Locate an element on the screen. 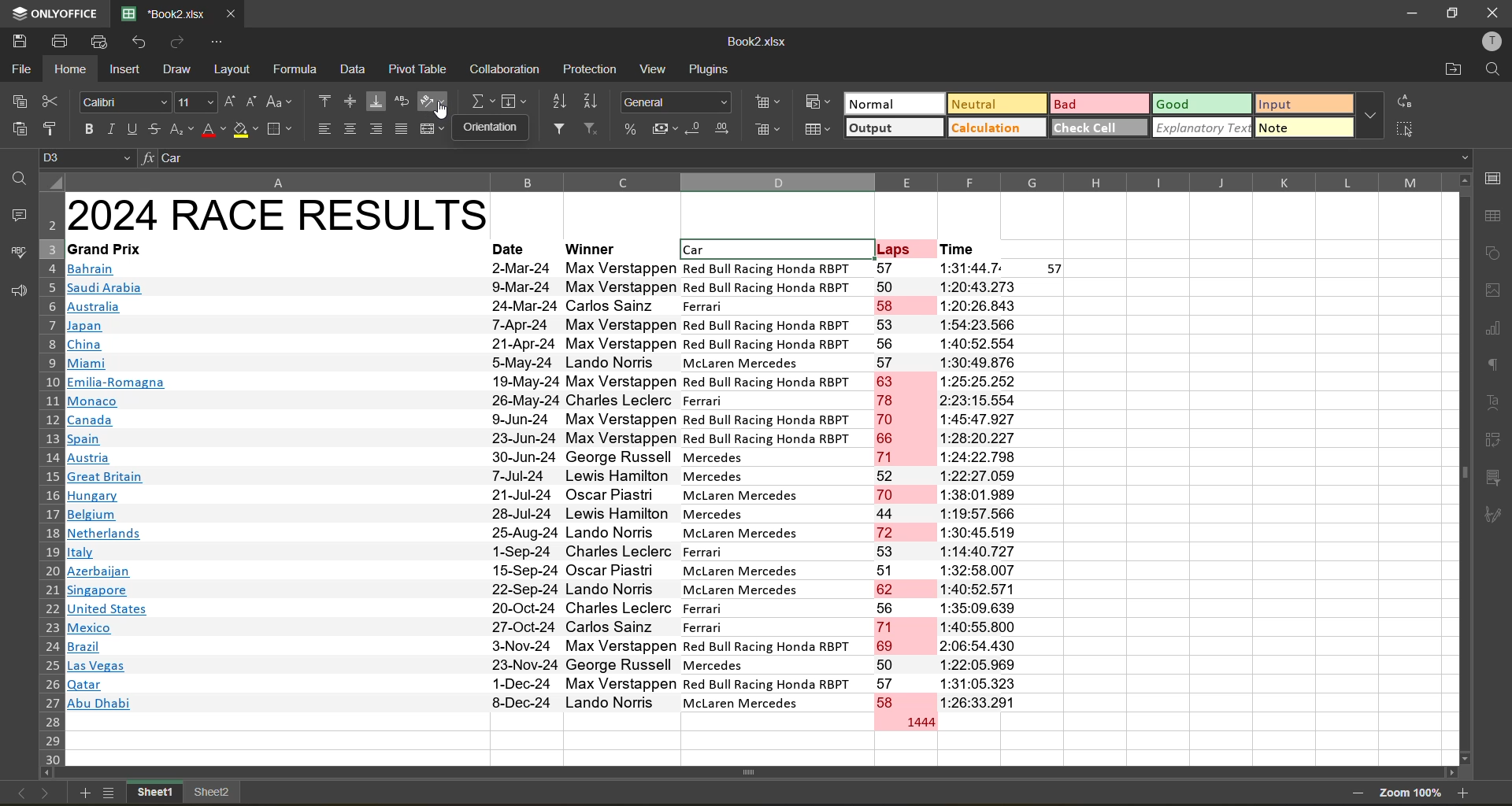 The height and width of the screenshot is (806, 1512). view is located at coordinates (657, 68).